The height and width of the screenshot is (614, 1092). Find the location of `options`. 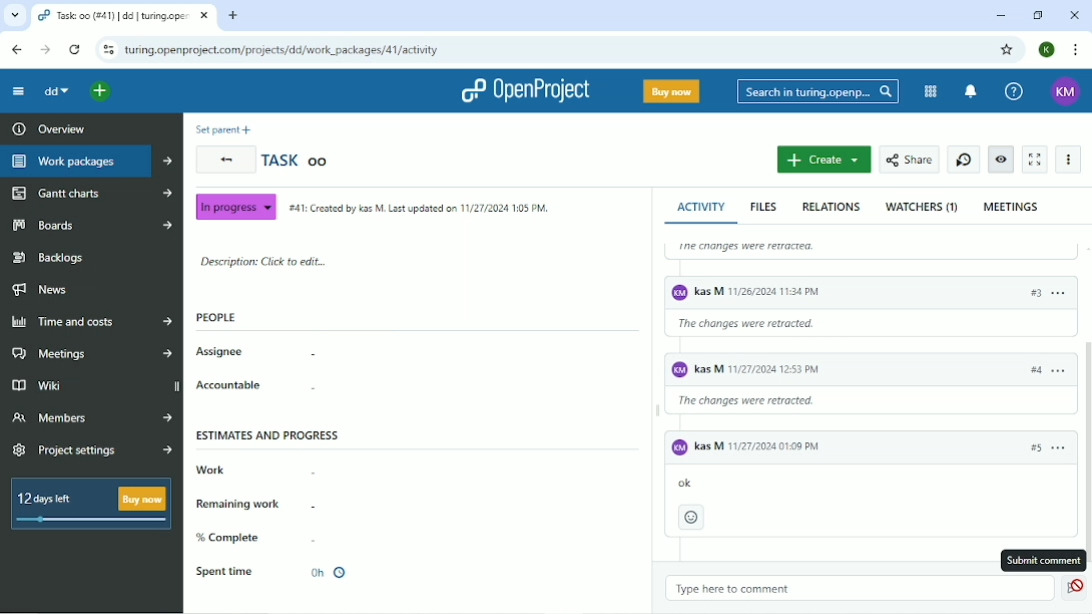

options is located at coordinates (1063, 293).